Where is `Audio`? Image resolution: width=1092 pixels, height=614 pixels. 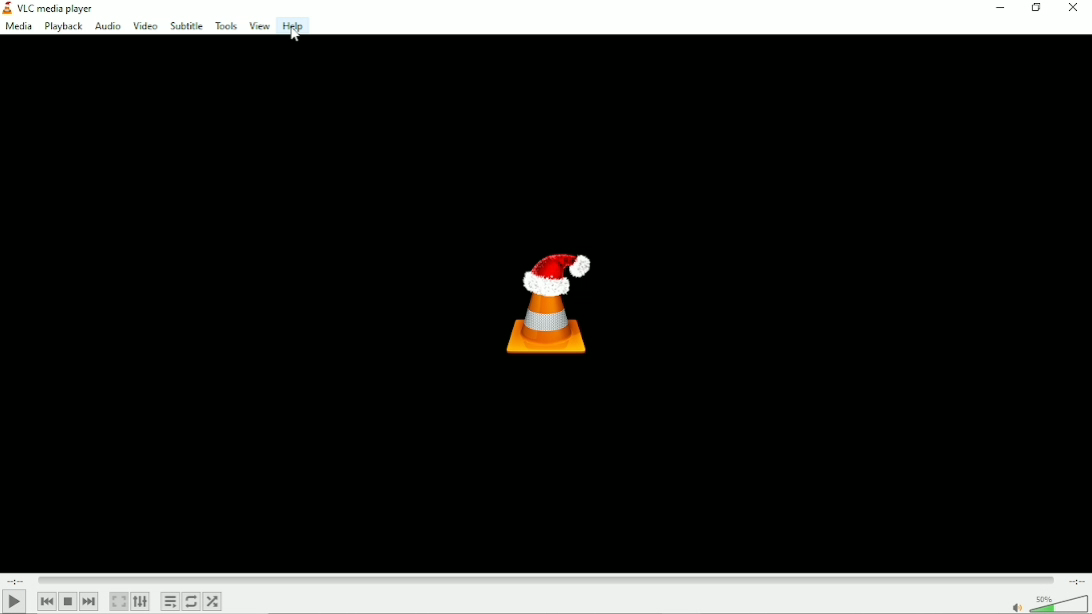
Audio is located at coordinates (107, 28).